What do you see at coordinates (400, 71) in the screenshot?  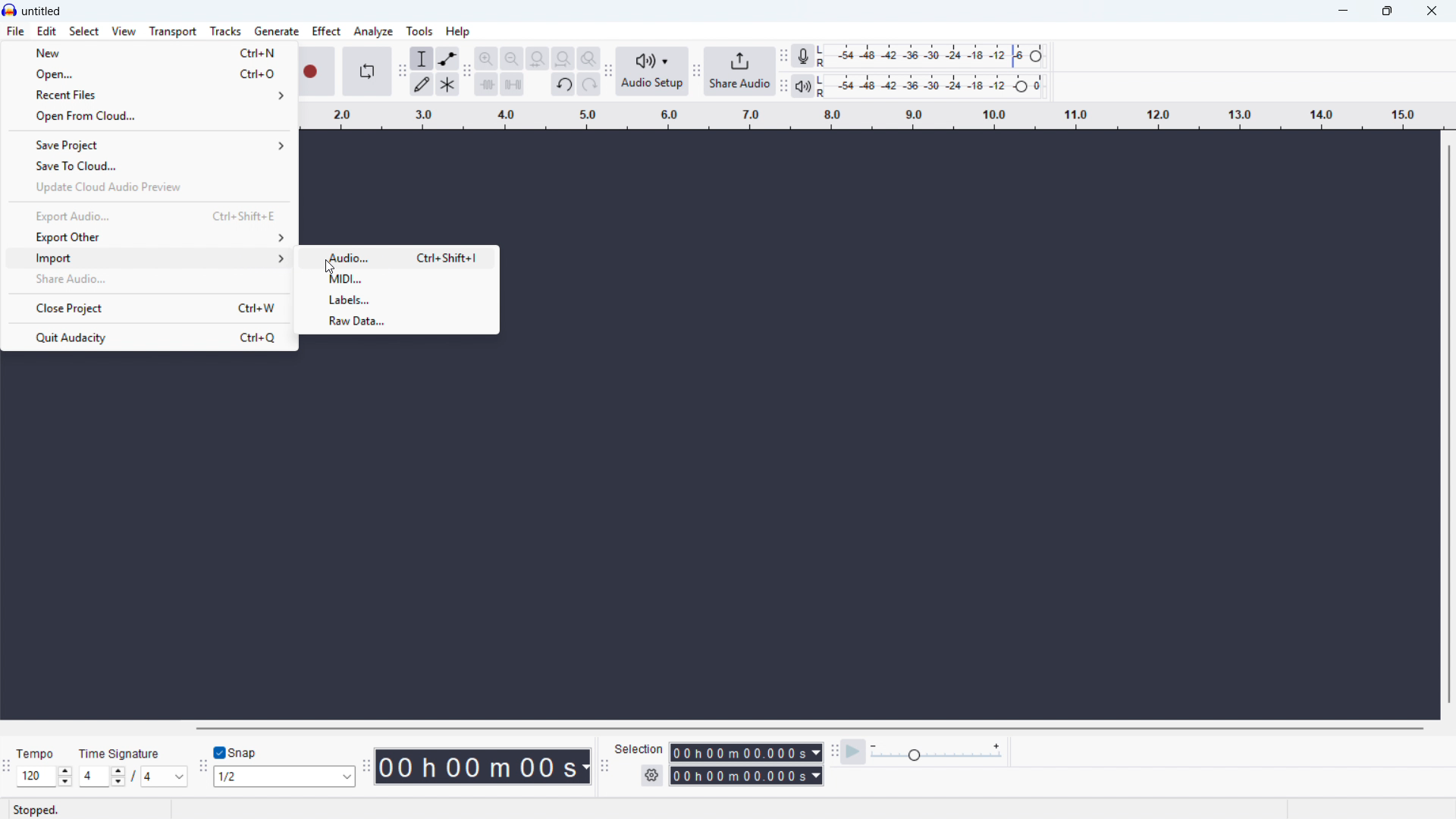 I see `Tools toolbar ` at bounding box center [400, 71].